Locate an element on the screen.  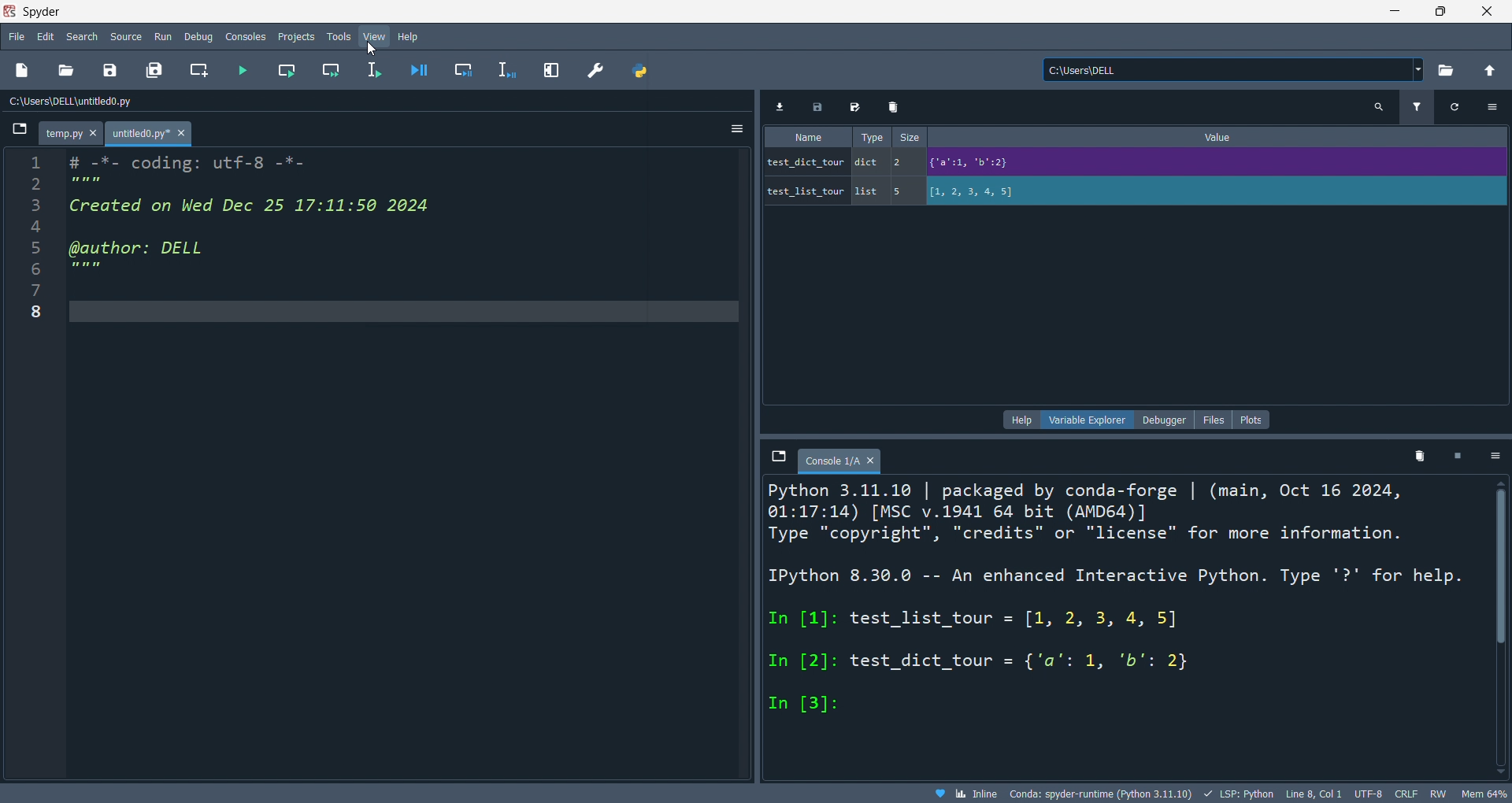
tools is located at coordinates (337, 37).